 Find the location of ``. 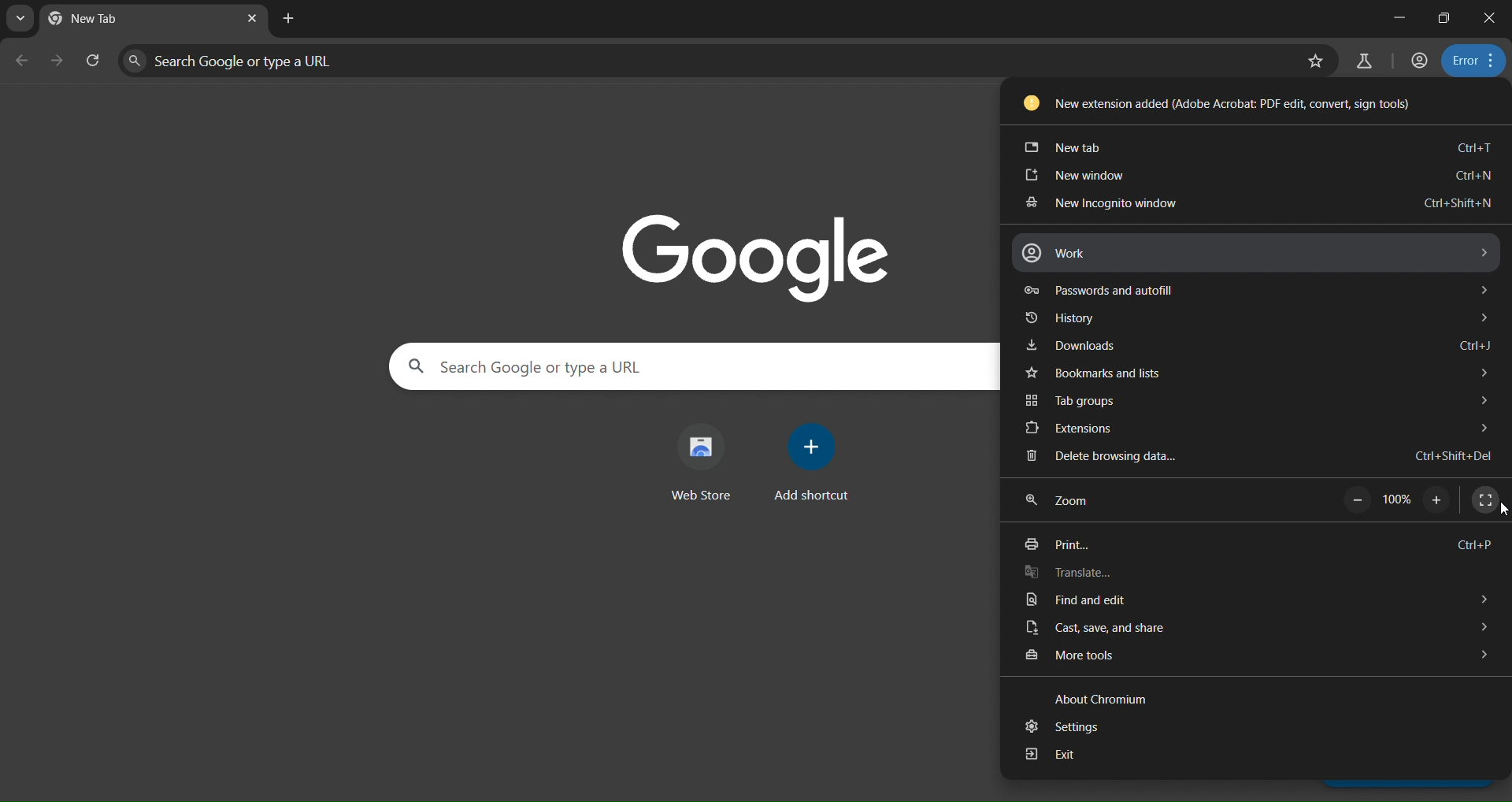

 is located at coordinates (1066, 499).